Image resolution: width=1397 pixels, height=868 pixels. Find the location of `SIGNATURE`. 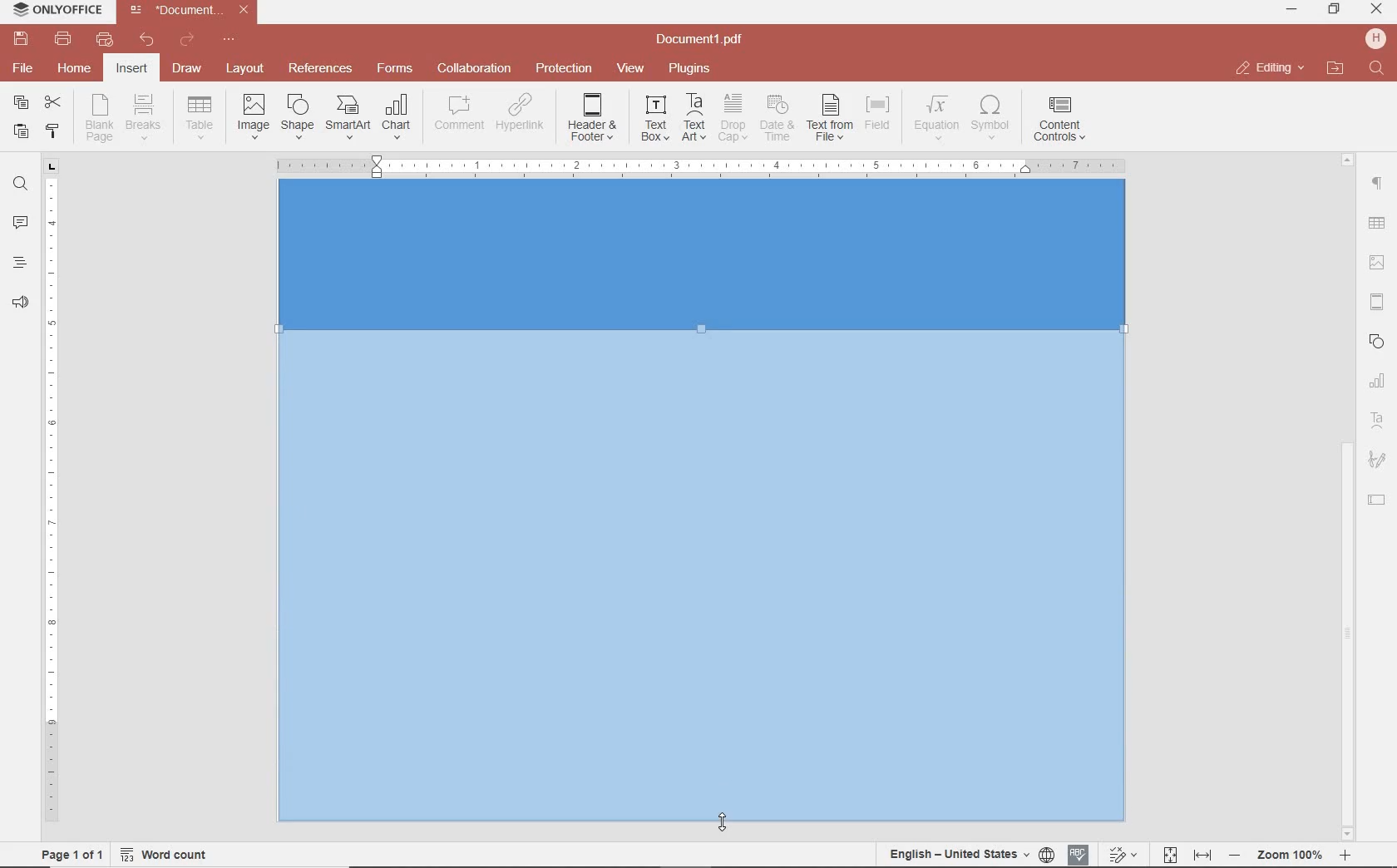

SIGNATURE is located at coordinates (1377, 461).